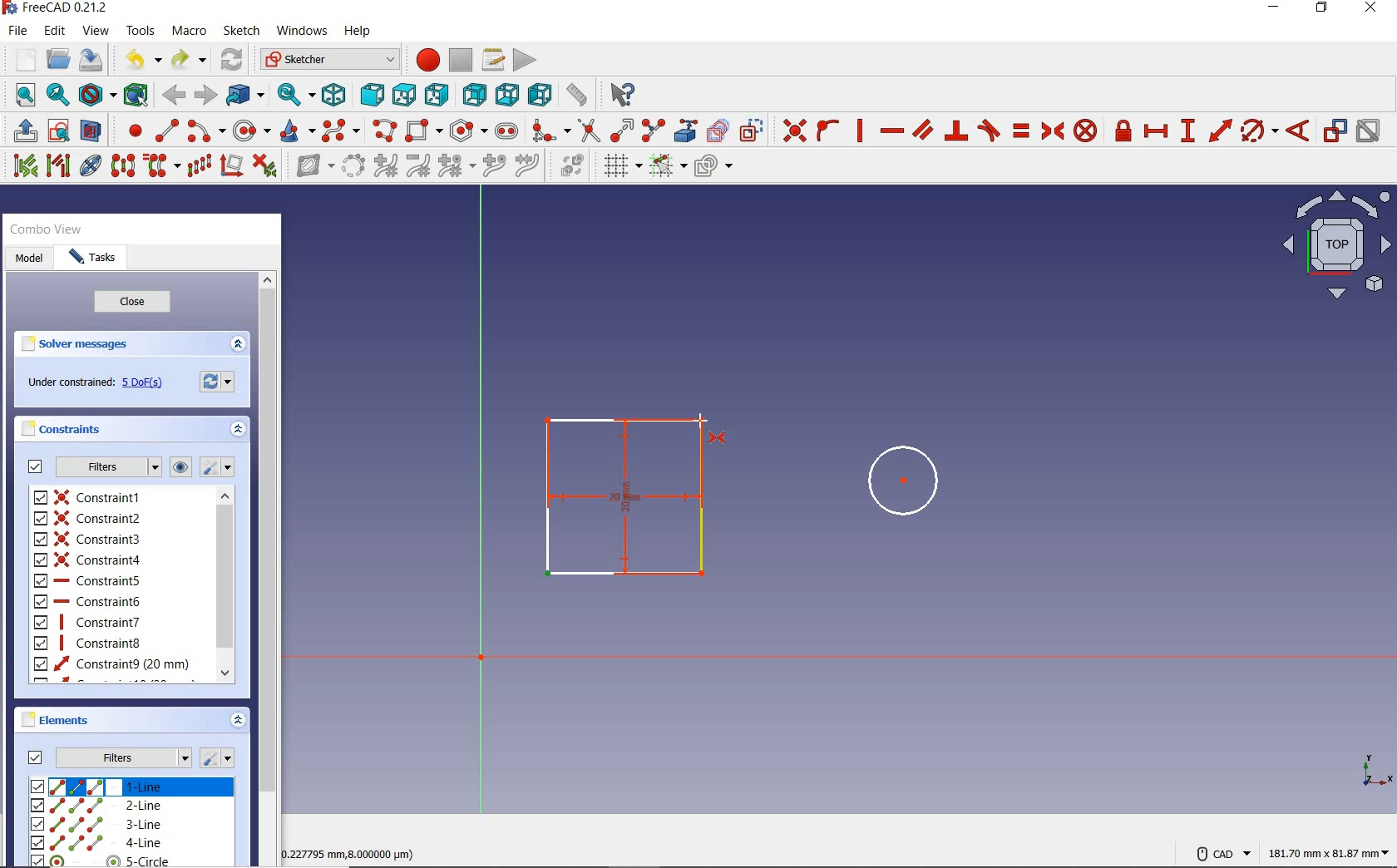 The image size is (1397, 868). Describe the element at coordinates (140, 303) in the screenshot. I see `close` at that location.